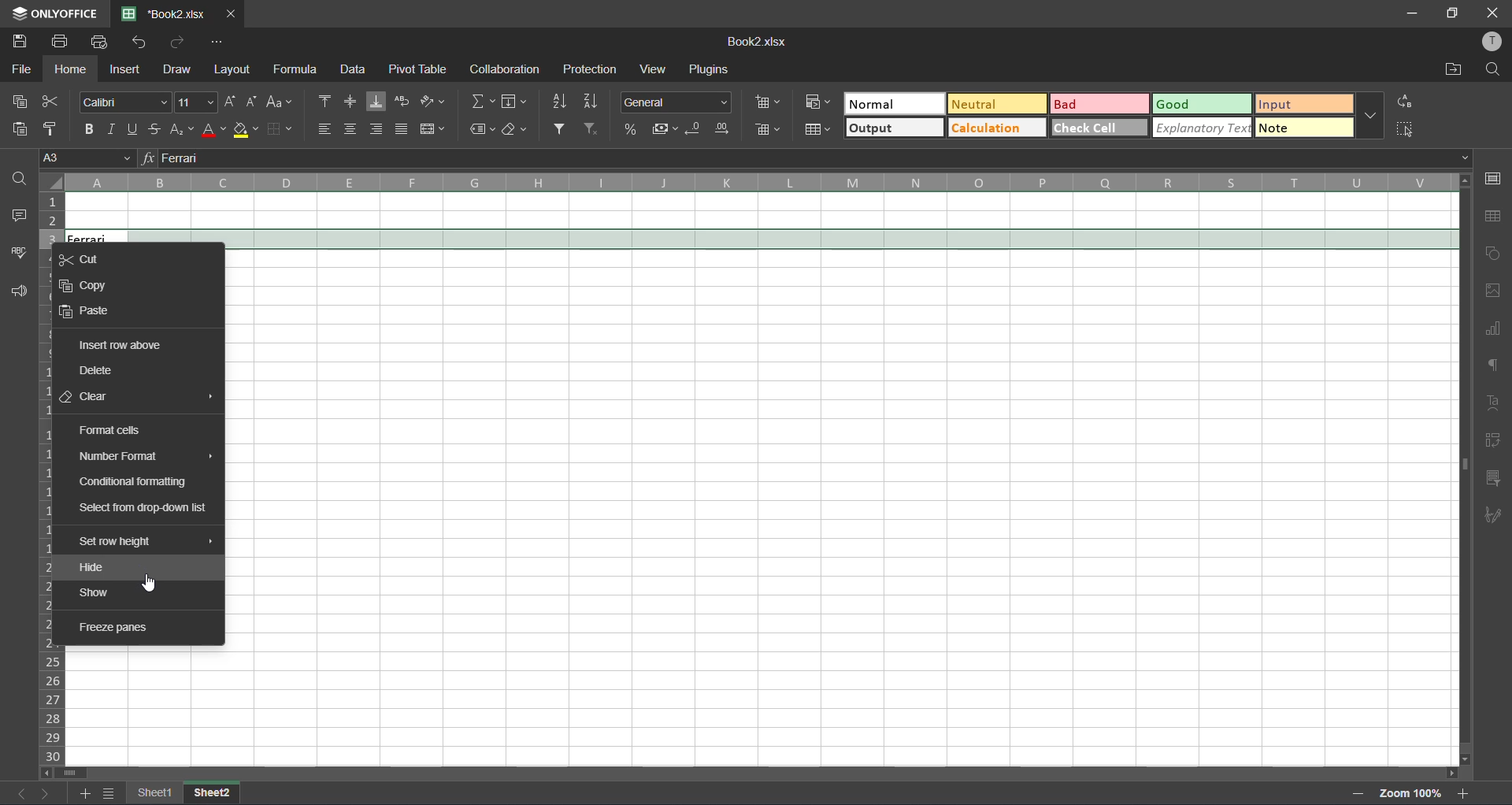 This screenshot has height=805, width=1512. I want to click on formula bar, so click(810, 160).